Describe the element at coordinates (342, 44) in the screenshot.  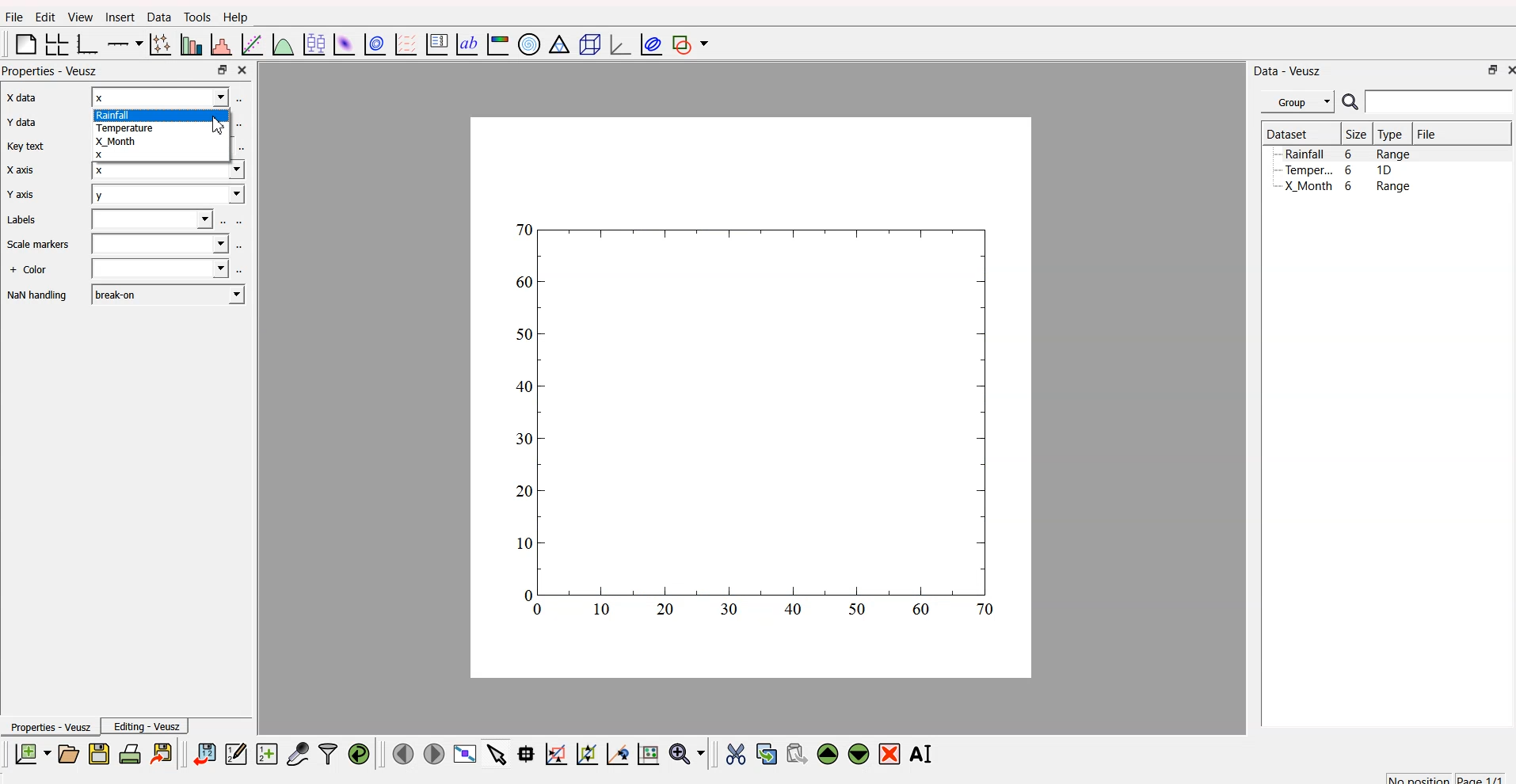
I see `plot dataset` at that location.